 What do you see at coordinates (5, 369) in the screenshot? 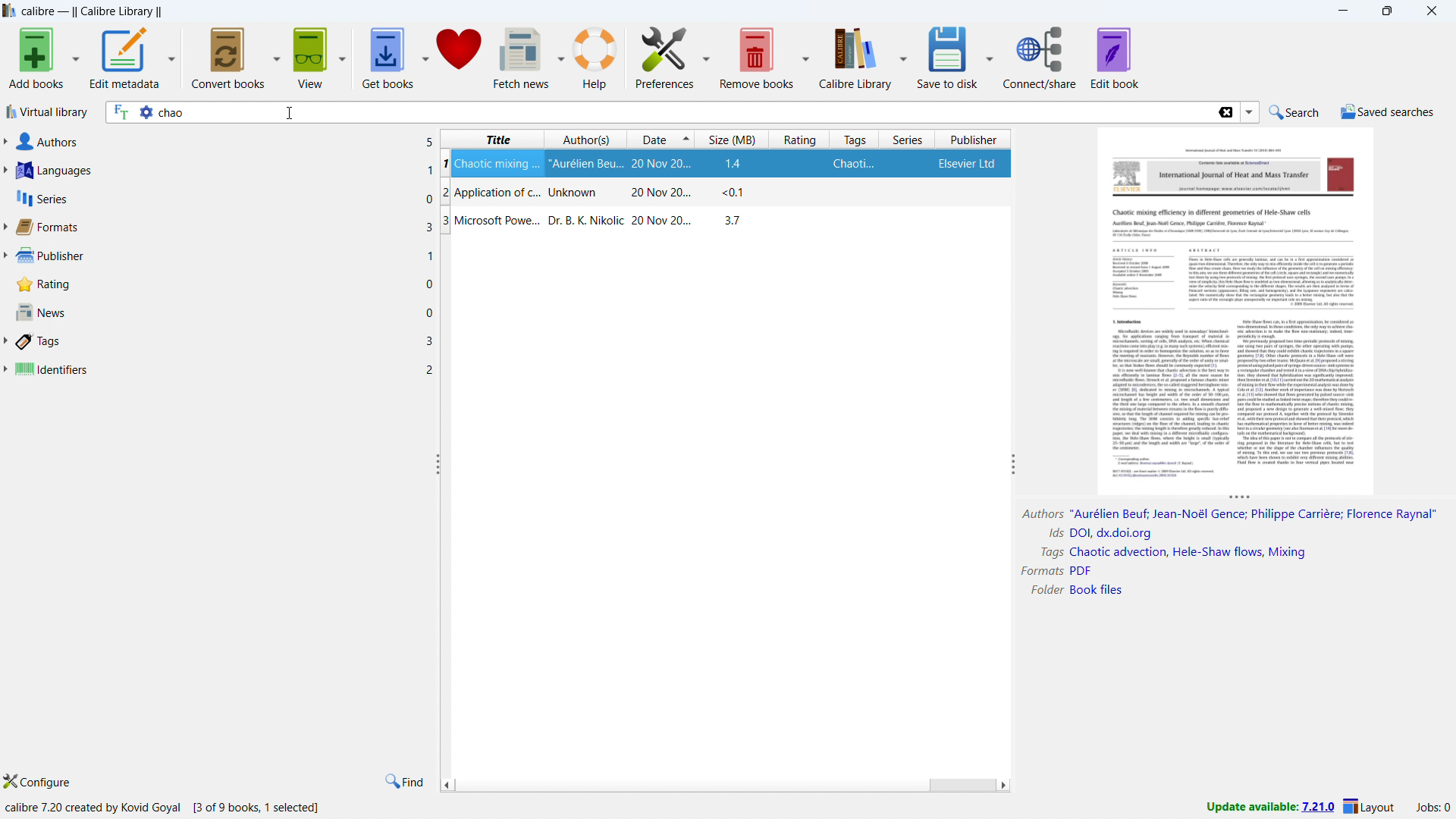
I see `expand identifiers` at bounding box center [5, 369].